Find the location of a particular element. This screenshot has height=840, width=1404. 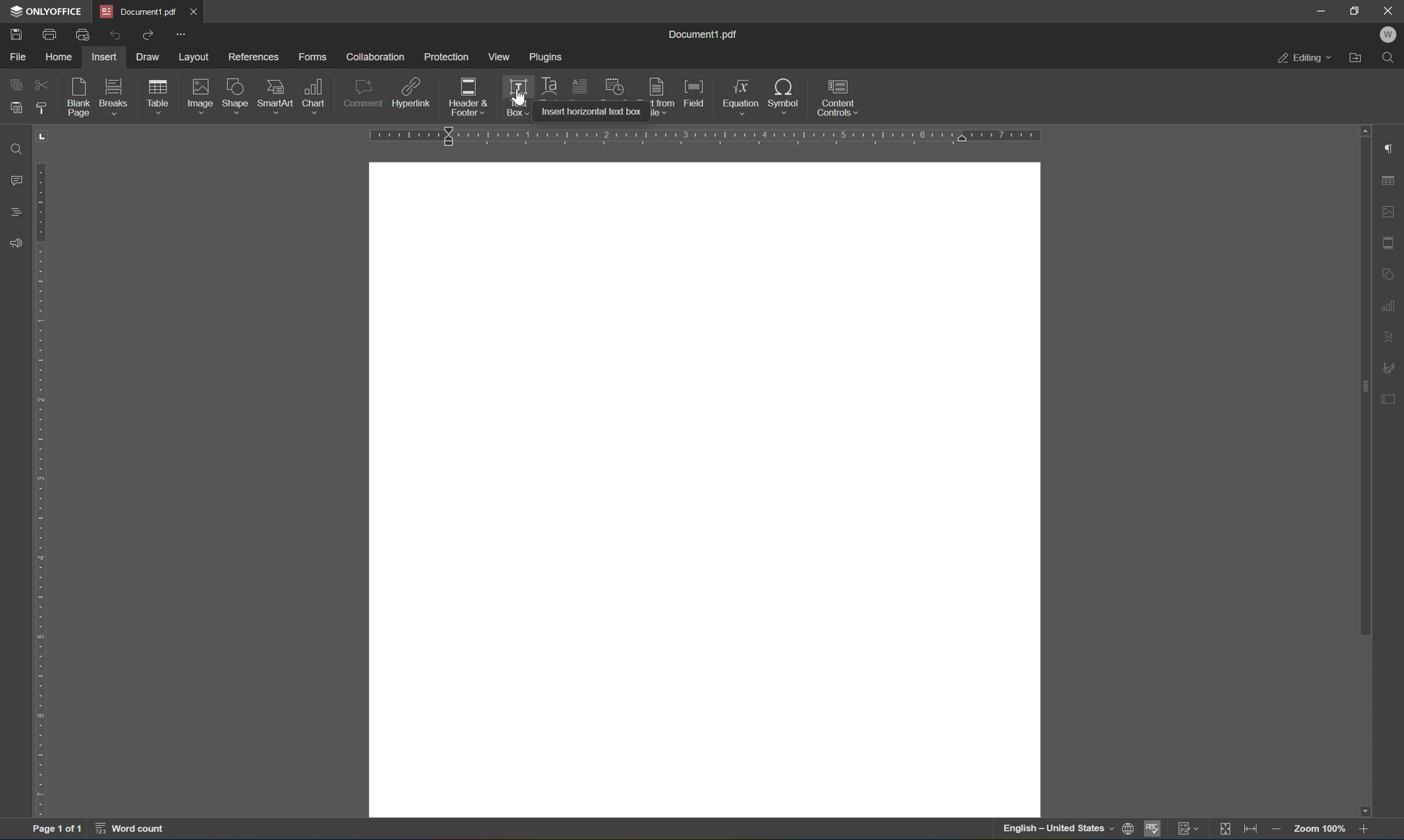

insert current date and time is located at coordinates (611, 86).